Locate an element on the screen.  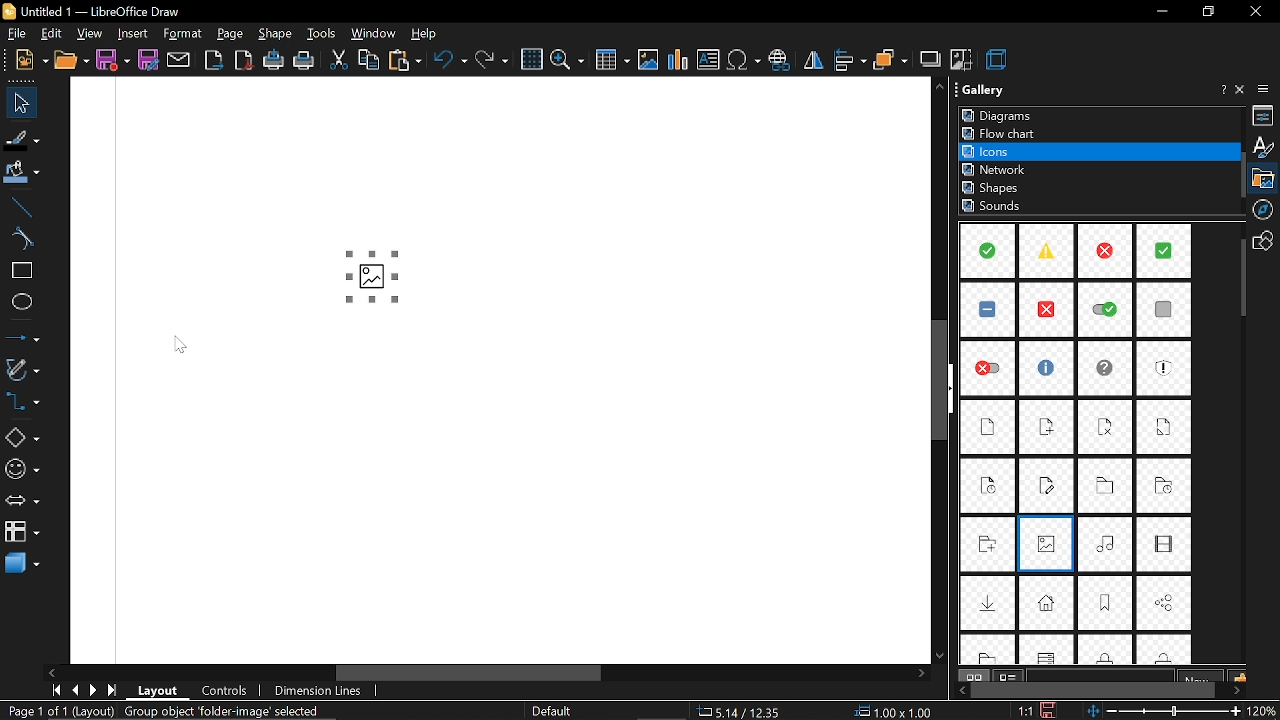
attach is located at coordinates (179, 59).